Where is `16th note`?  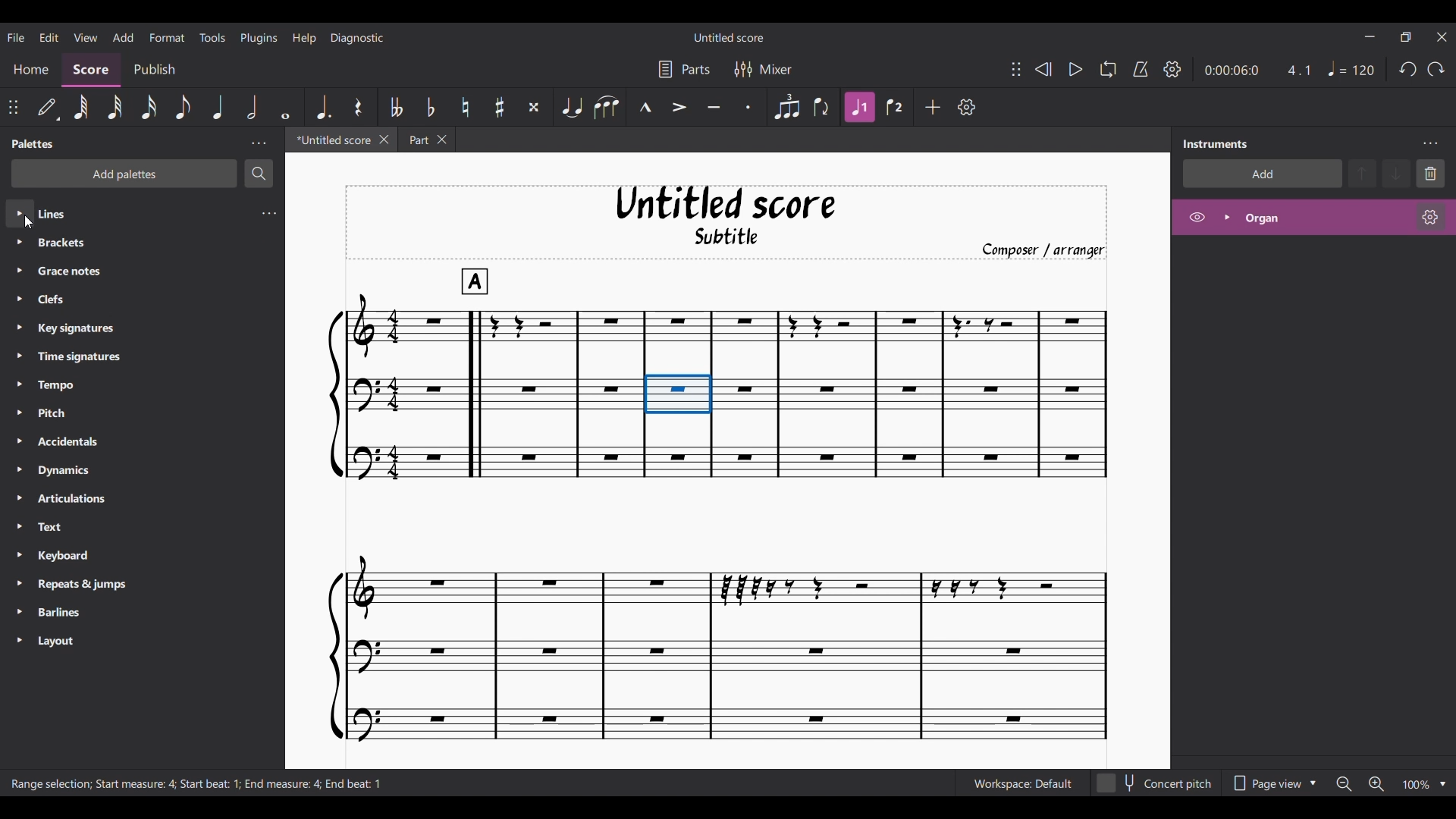
16th note is located at coordinates (149, 108).